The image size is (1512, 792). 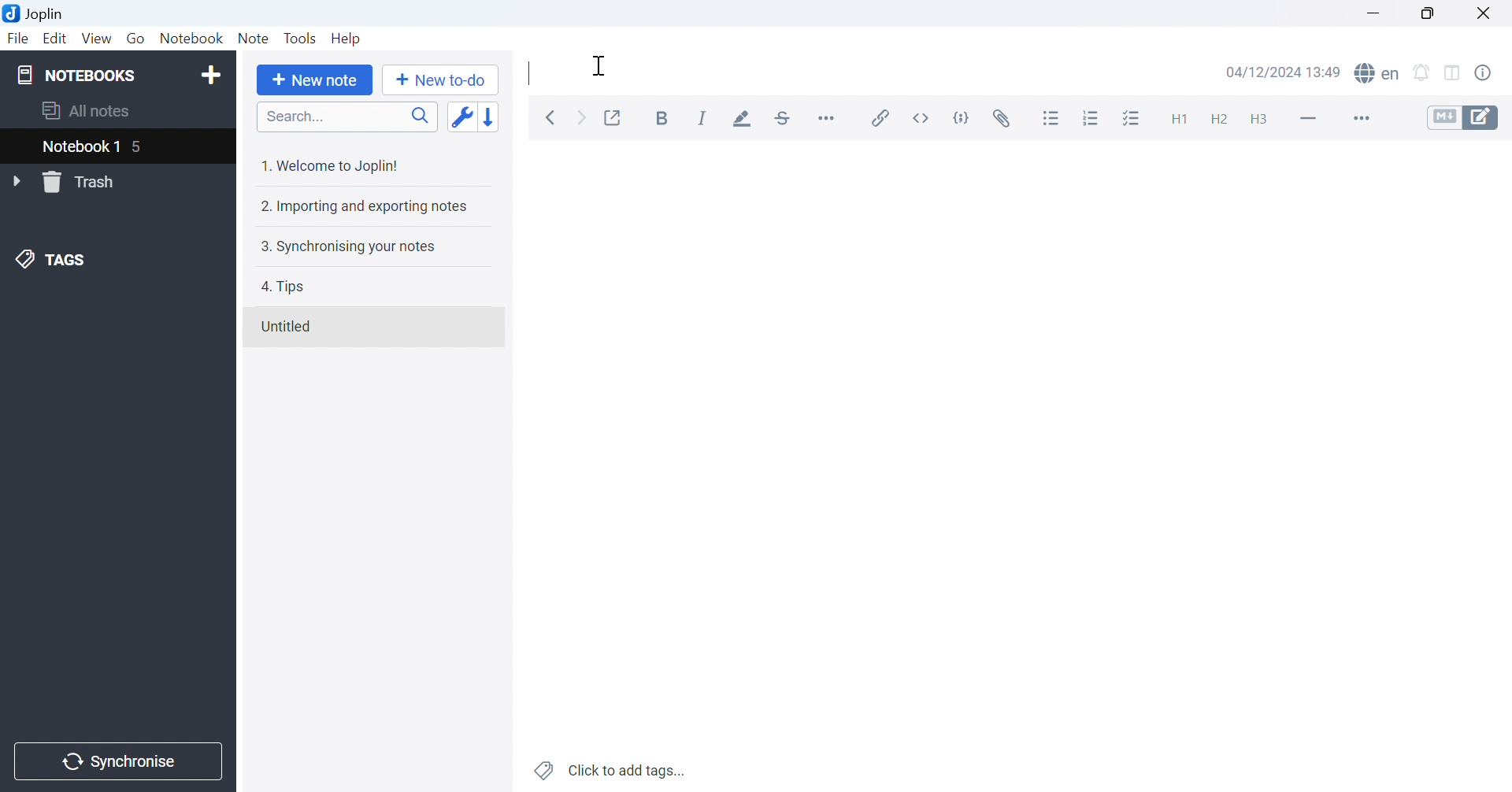 What do you see at coordinates (1492, 76) in the screenshot?
I see `Note properties` at bounding box center [1492, 76].